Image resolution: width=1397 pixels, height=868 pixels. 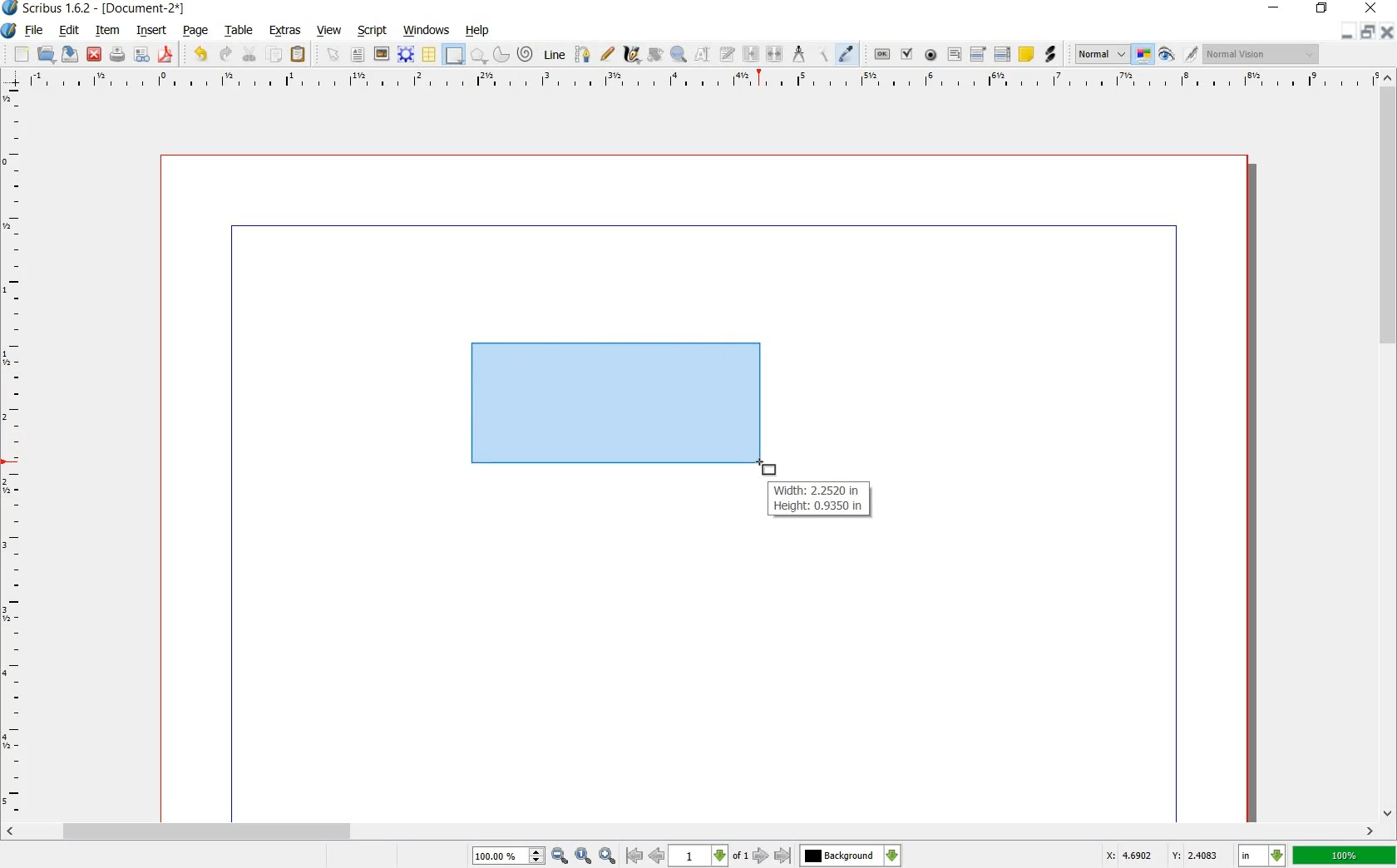 What do you see at coordinates (1260, 856) in the screenshot?
I see `select current unit` at bounding box center [1260, 856].